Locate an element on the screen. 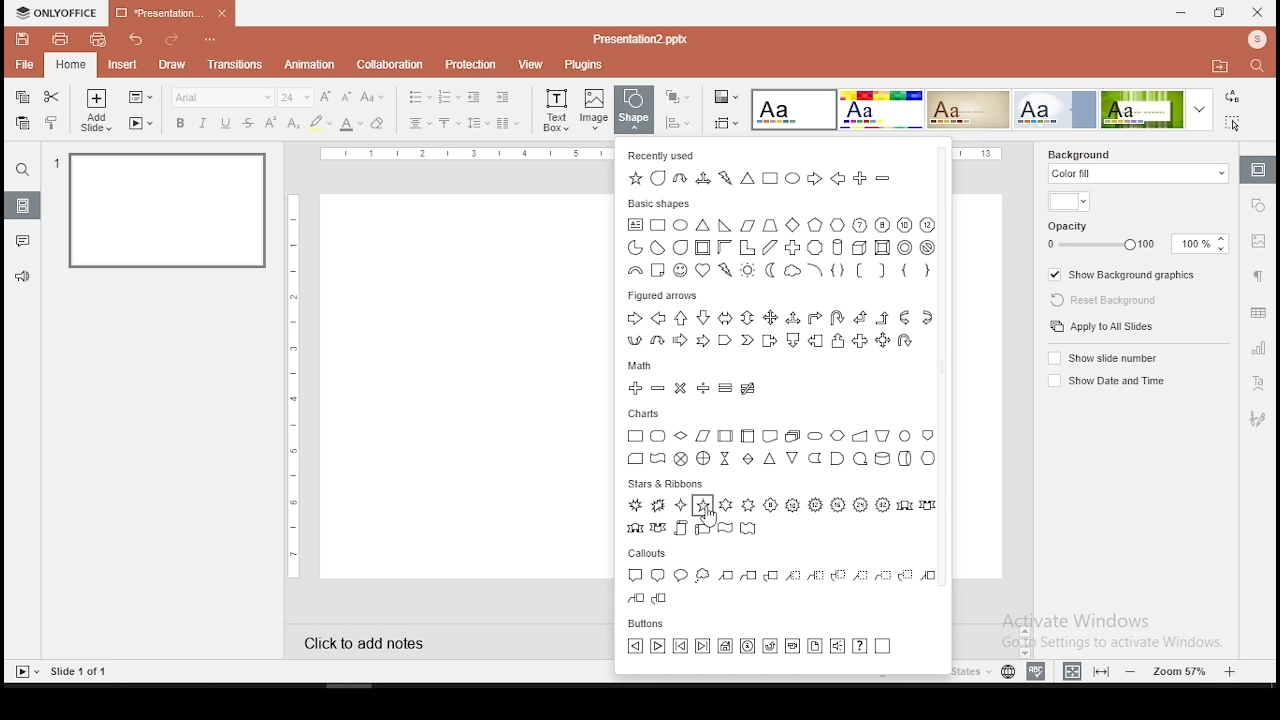 The width and height of the screenshot is (1280, 720). quick print is located at coordinates (97, 39).